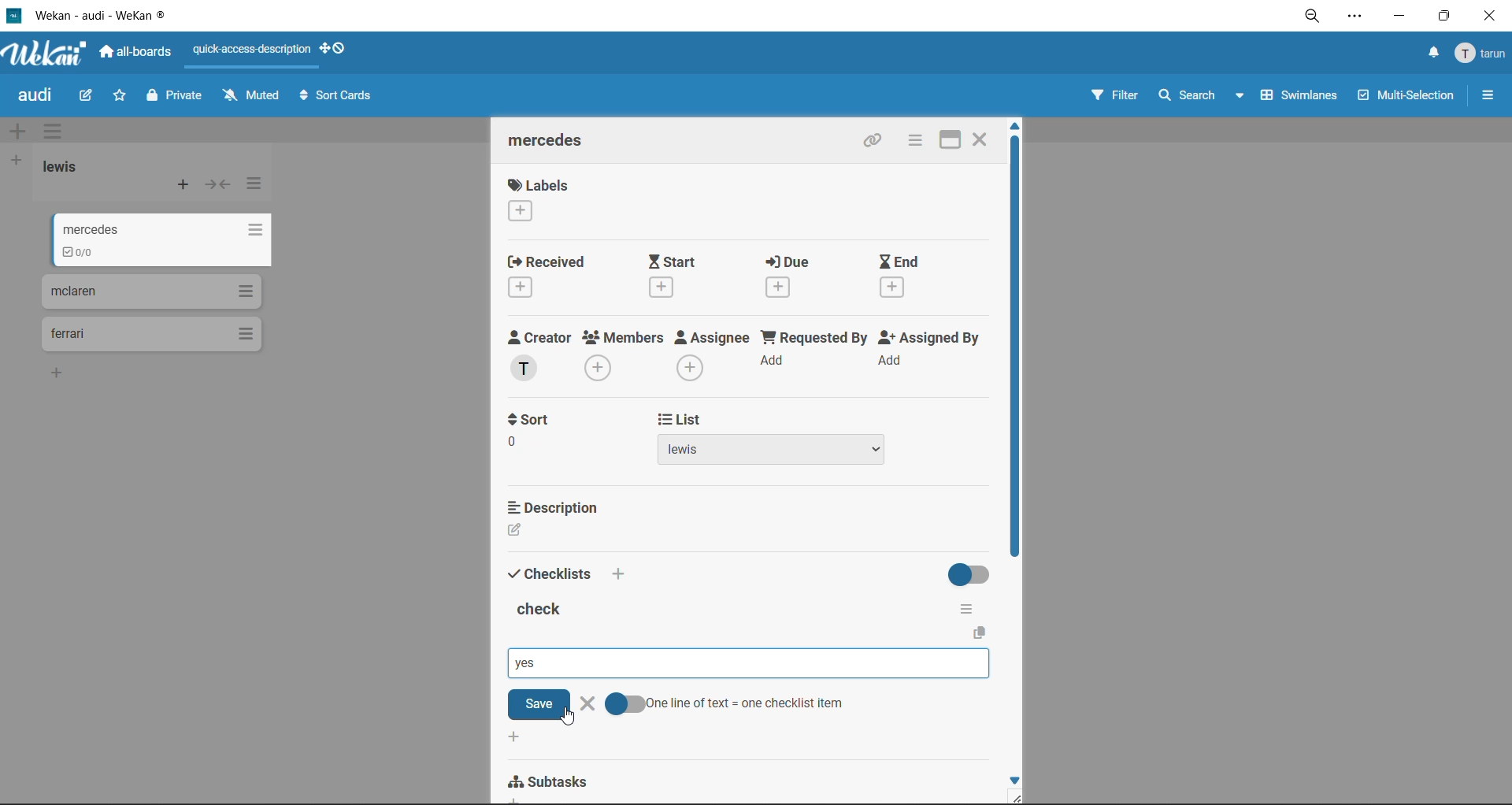  What do you see at coordinates (184, 188) in the screenshot?
I see `add card` at bounding box center [184, 188].